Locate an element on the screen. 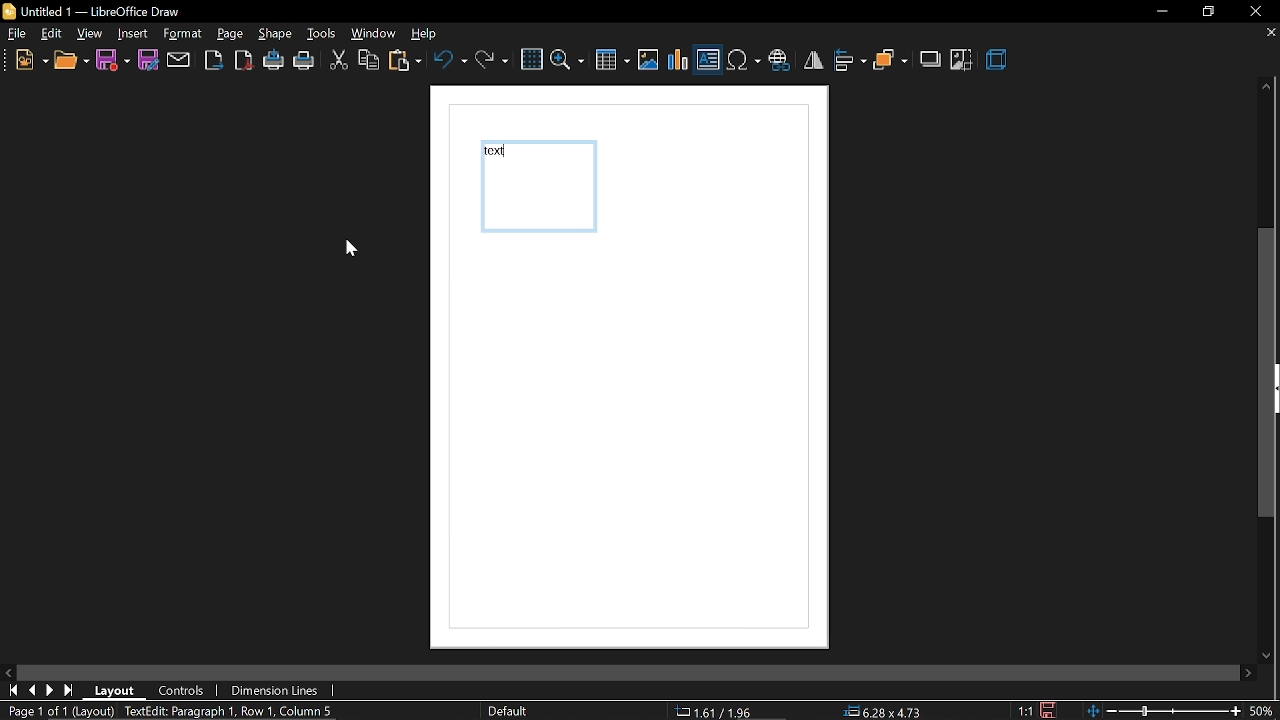 The width and height of the screenshot is (1280, 720). save is located at coordinates (1046, 709).